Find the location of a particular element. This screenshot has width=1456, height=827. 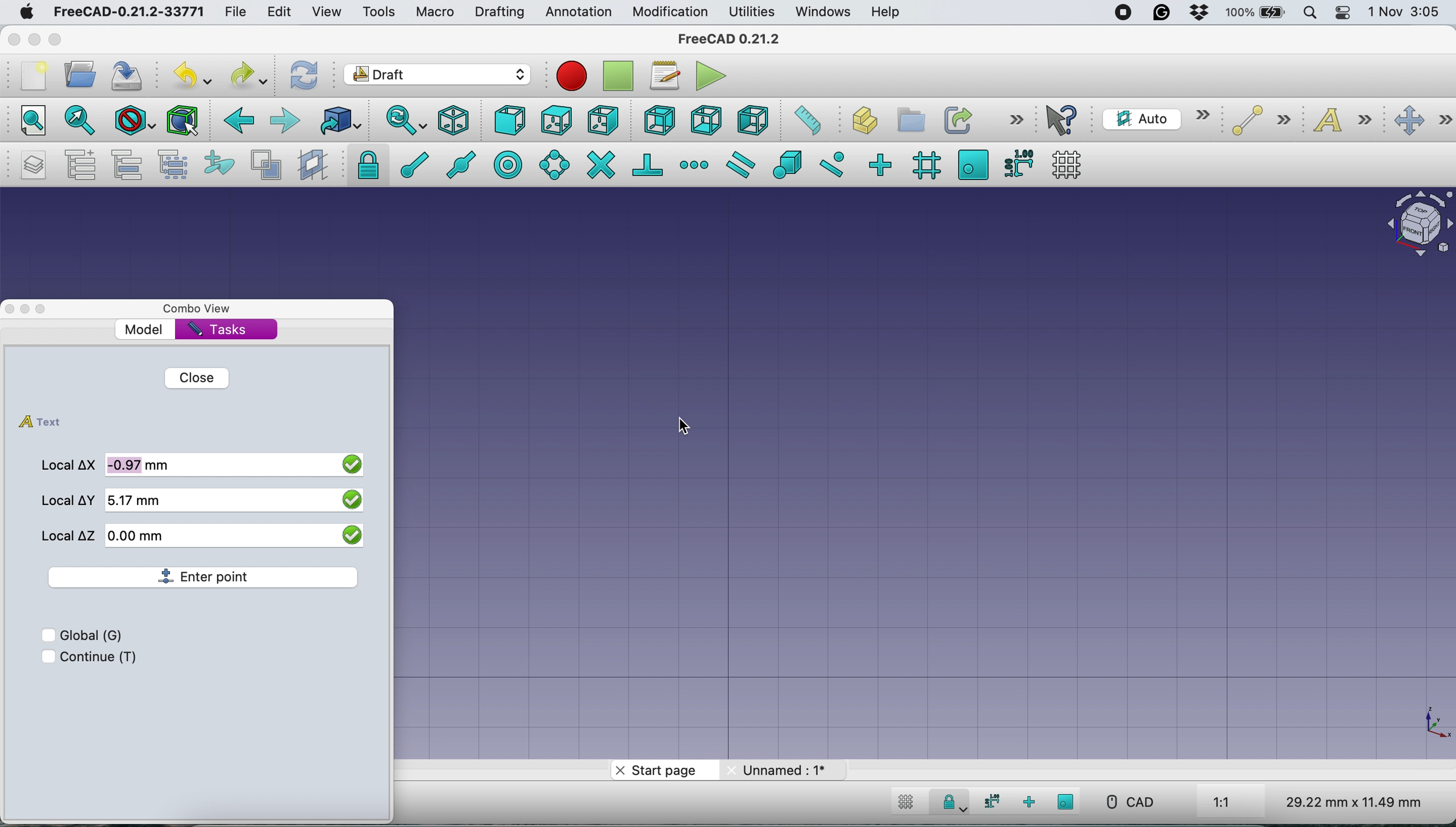

modification is located at coordinates (671, 12).